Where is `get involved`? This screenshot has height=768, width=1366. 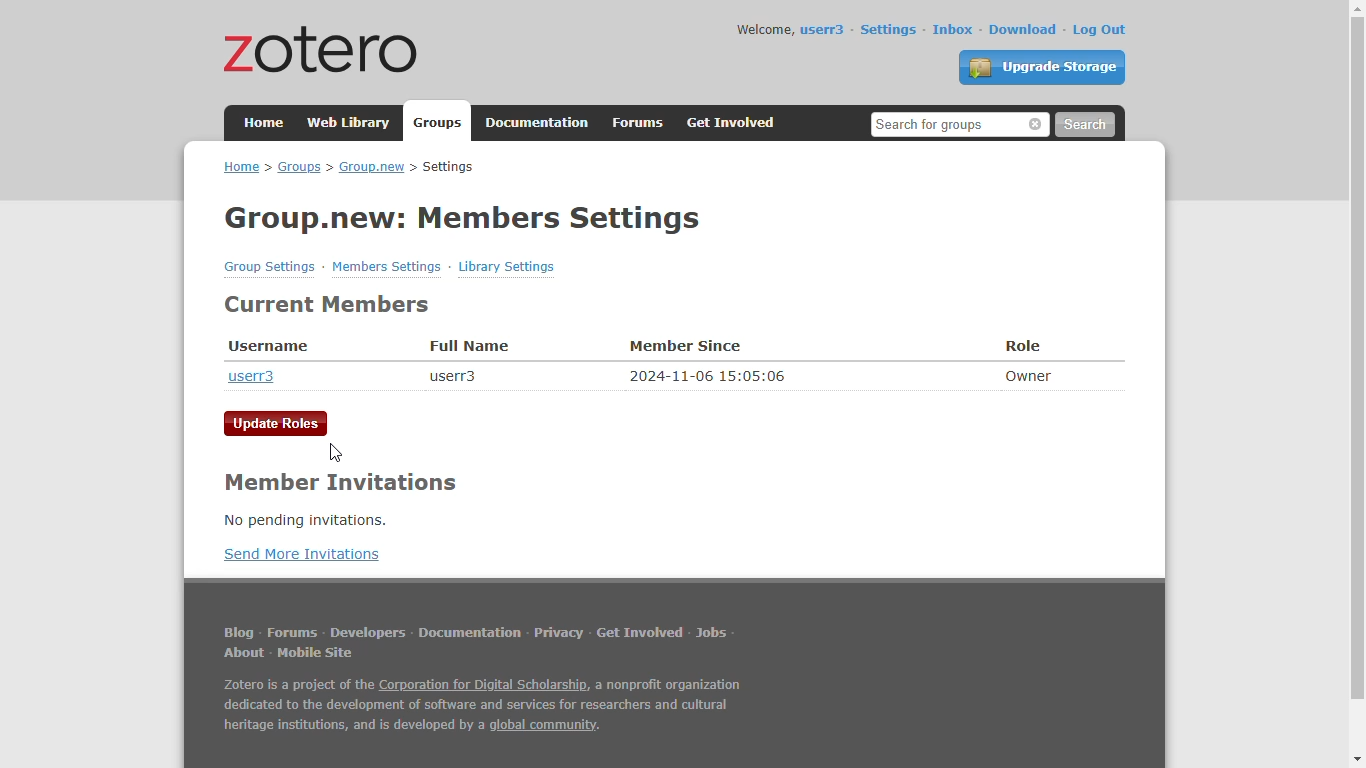 get involved is located at coordinates (641, 633).